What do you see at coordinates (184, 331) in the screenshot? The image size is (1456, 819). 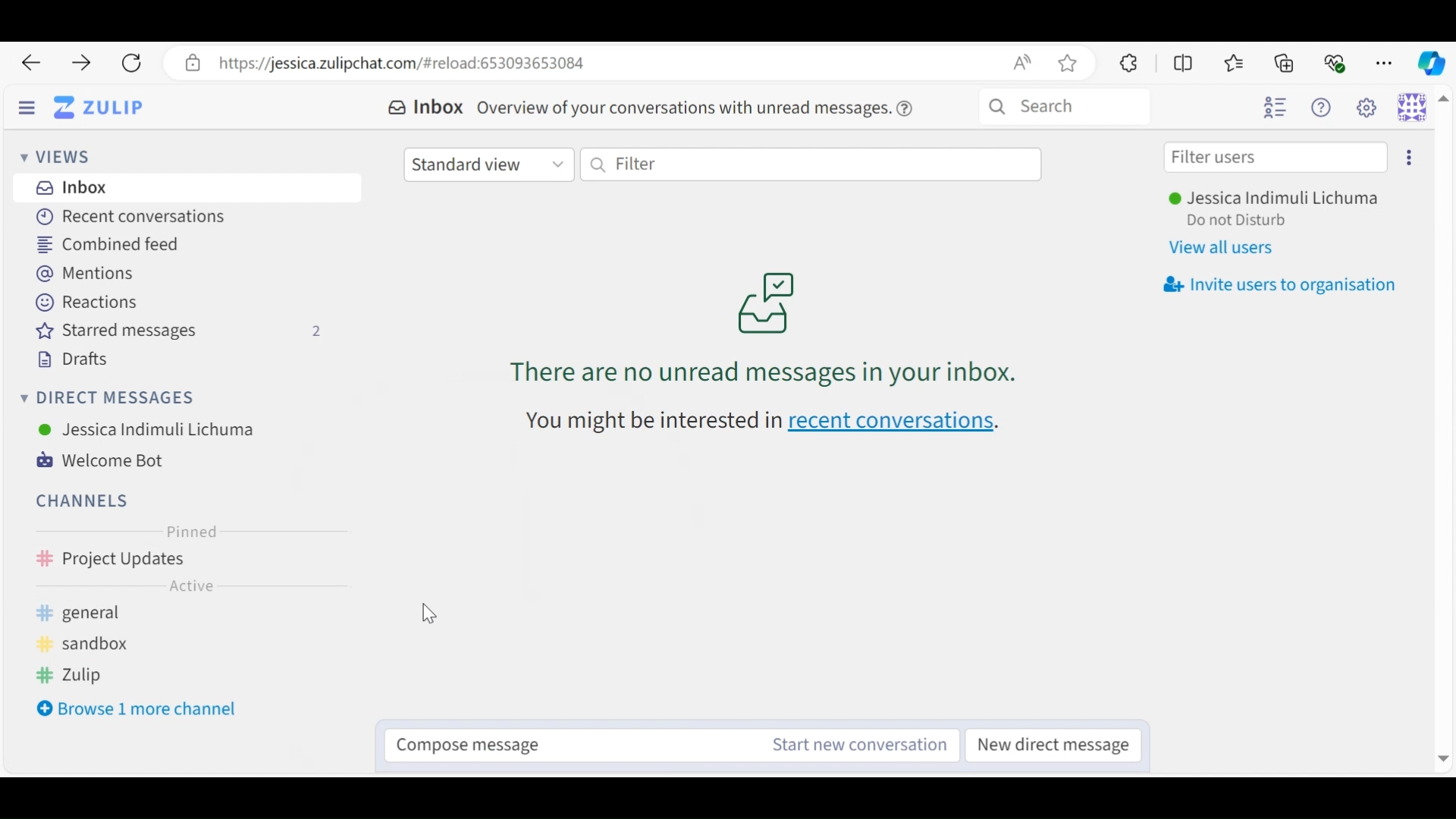 I see `Starred messages` at bounding box center [184, 331].